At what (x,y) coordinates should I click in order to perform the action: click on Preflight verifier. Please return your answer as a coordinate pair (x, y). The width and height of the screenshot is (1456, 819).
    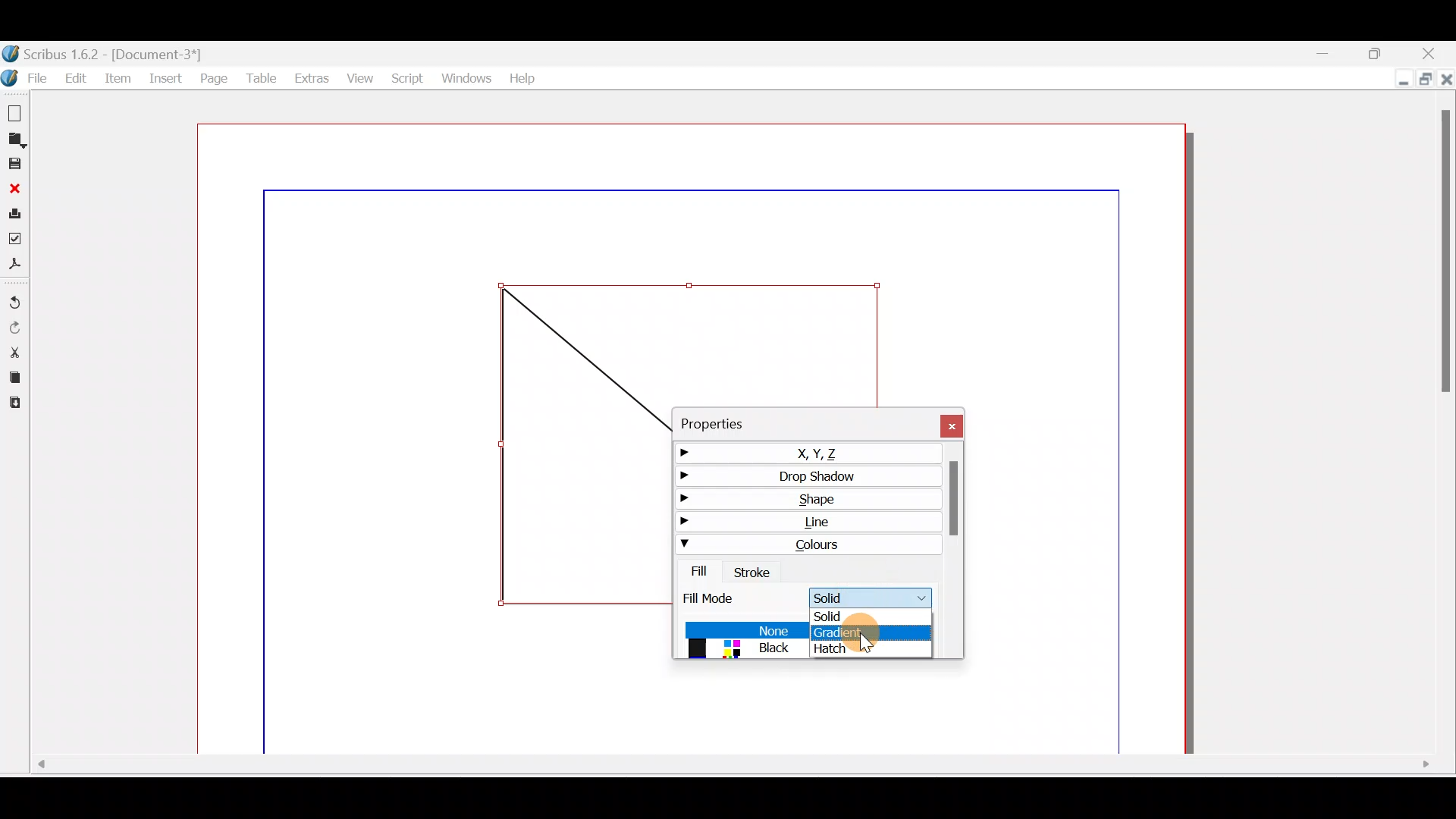
    Looking at the image, I should click on (18, 237).